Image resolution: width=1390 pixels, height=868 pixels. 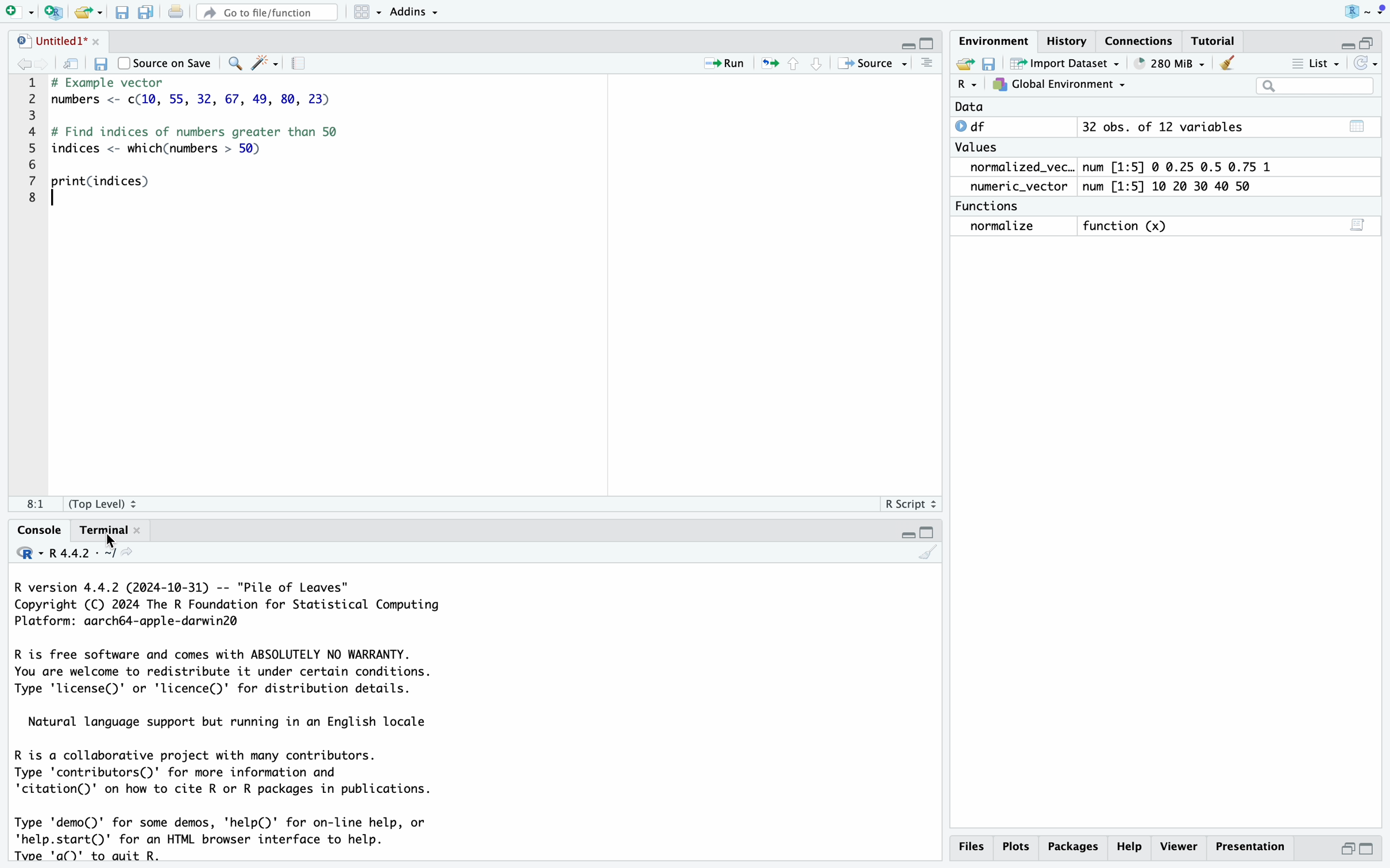 I want to click on Terminal, so click(x=108, y=531).